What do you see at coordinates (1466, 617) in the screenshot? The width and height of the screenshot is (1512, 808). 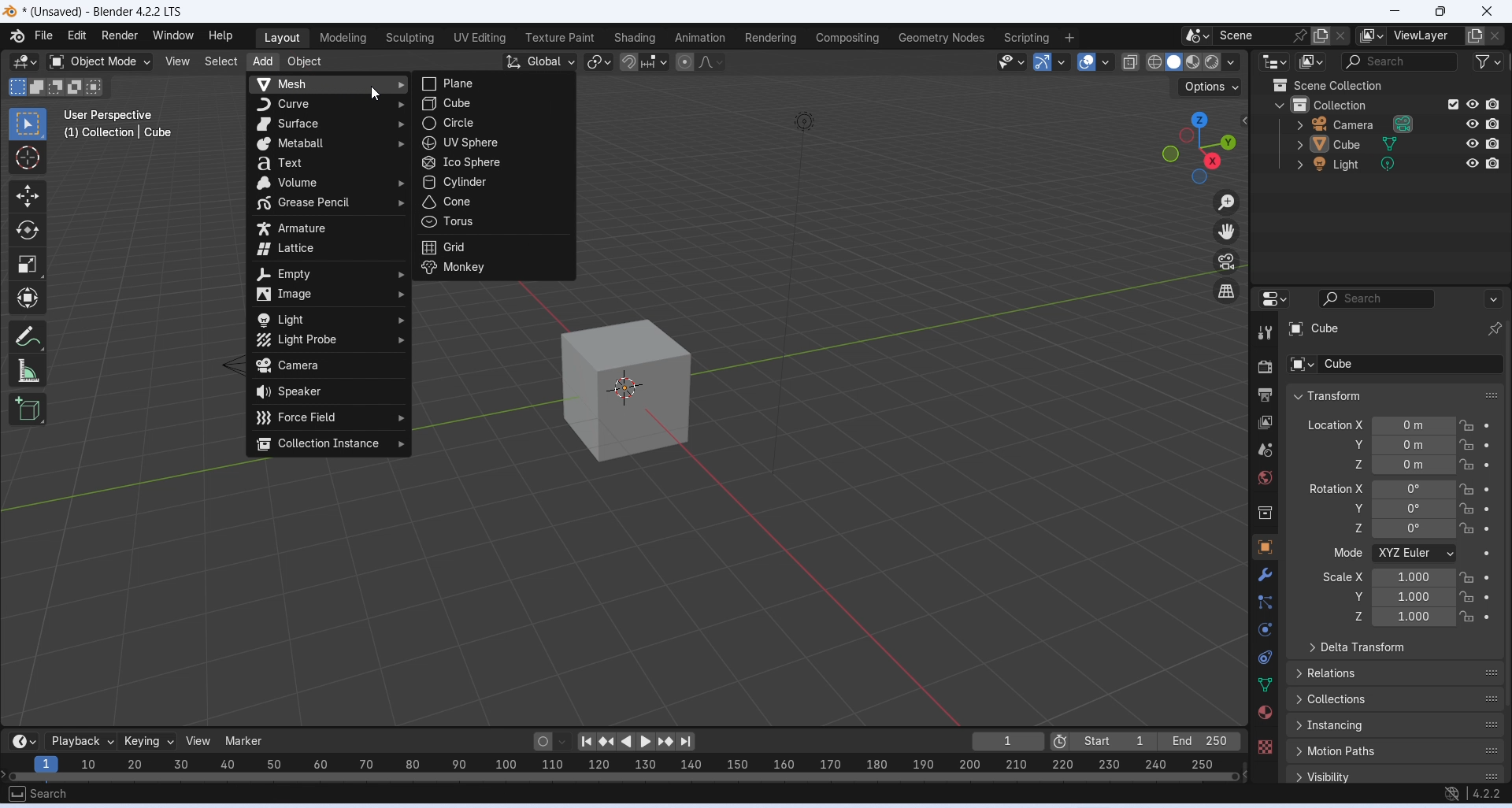 I see `lock location` at bounding box center [1466, 617].